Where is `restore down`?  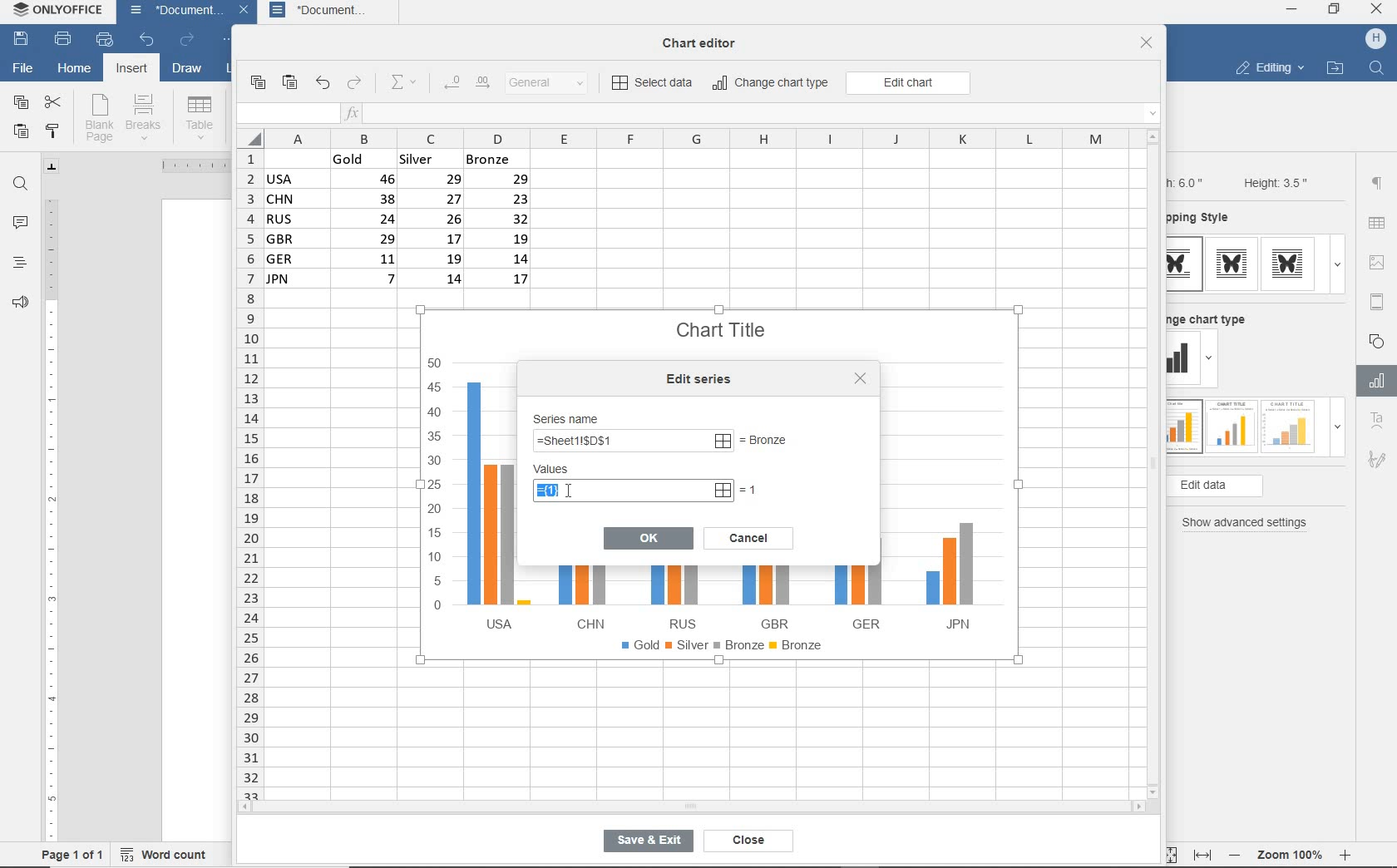 restore down is located at coordinates (1335, 11).